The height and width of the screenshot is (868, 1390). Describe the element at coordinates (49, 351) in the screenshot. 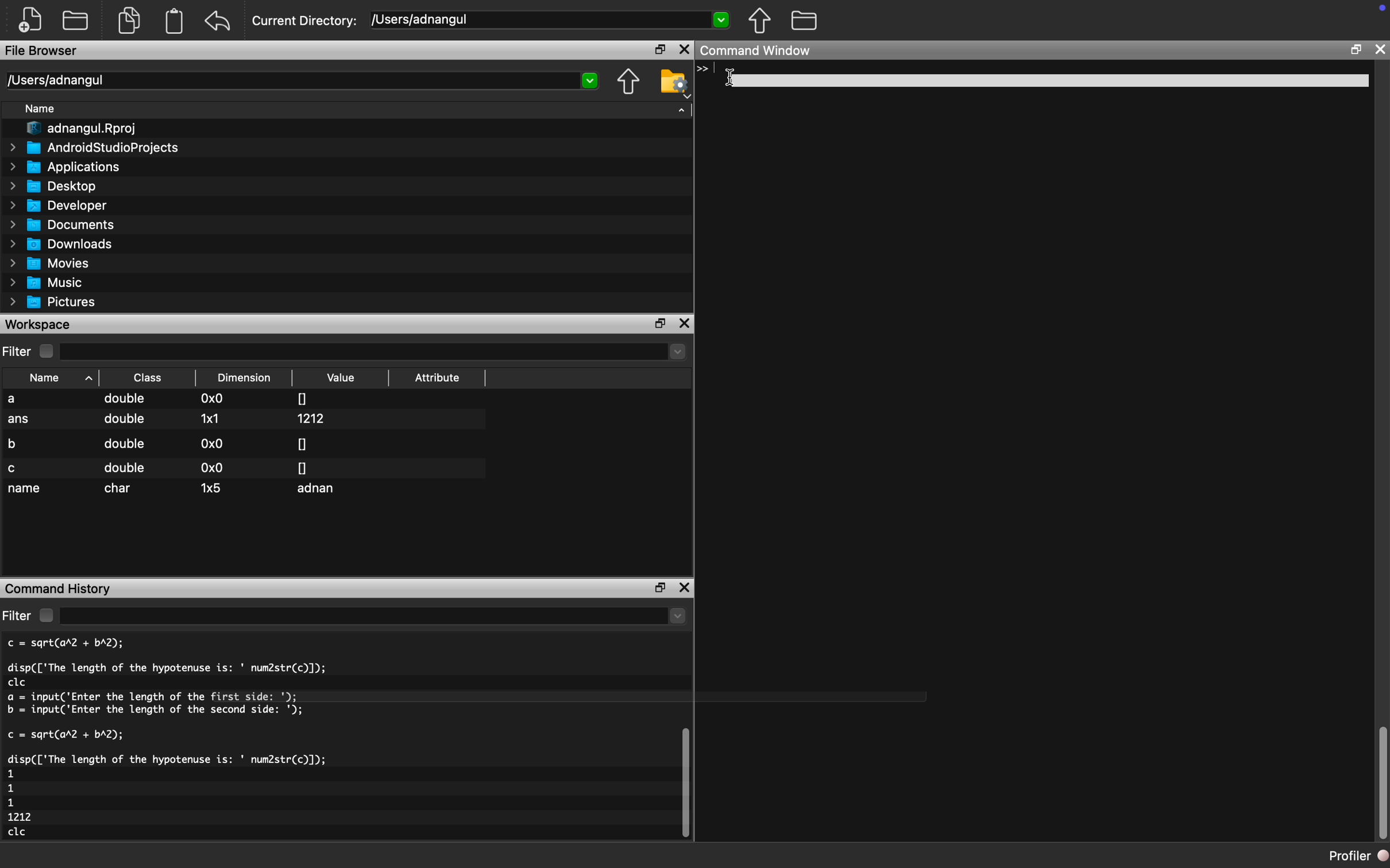

I see `checkbox` at that location.